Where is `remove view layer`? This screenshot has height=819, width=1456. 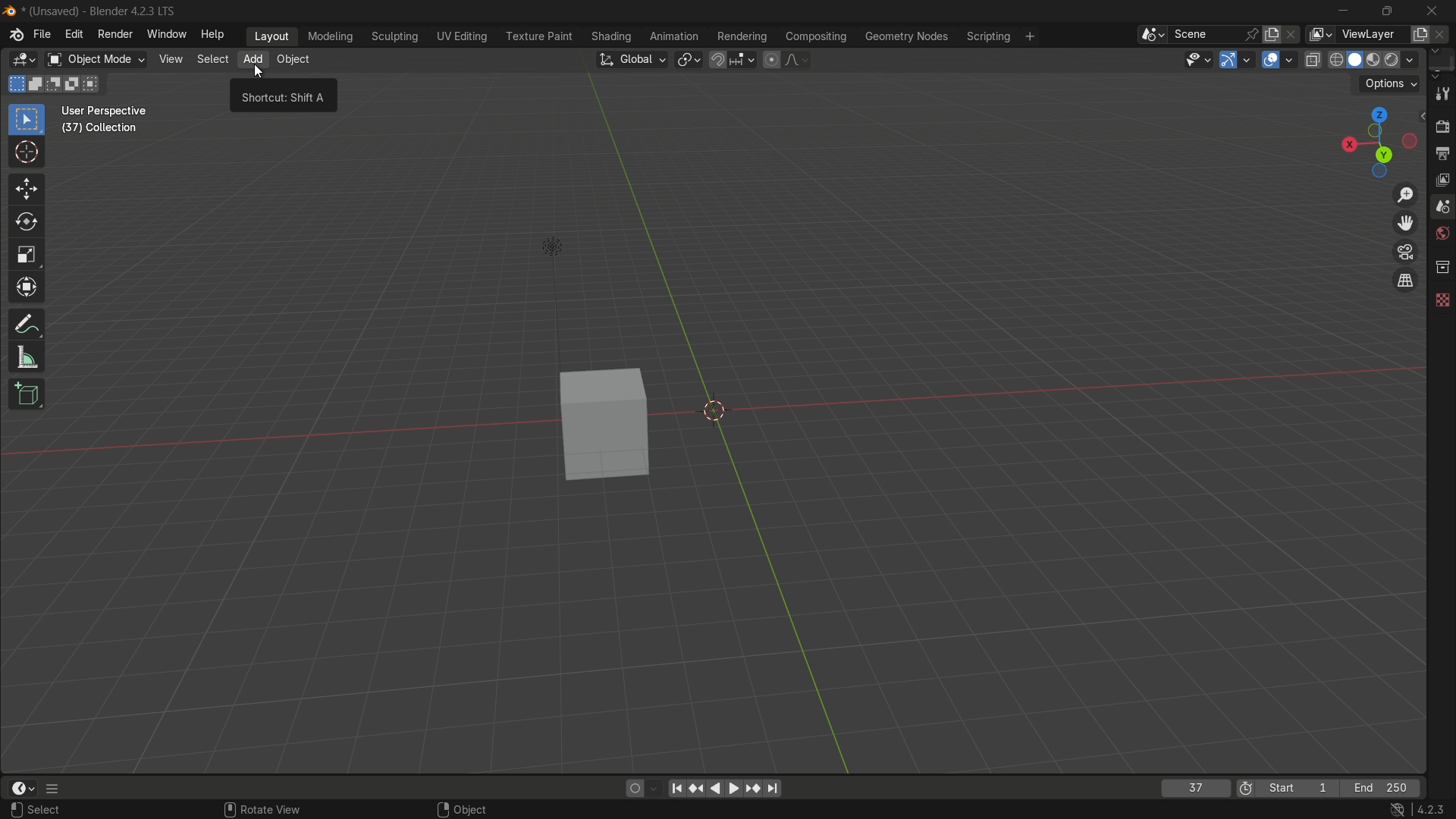
remove view layer is located at coordinates (1444, 36).